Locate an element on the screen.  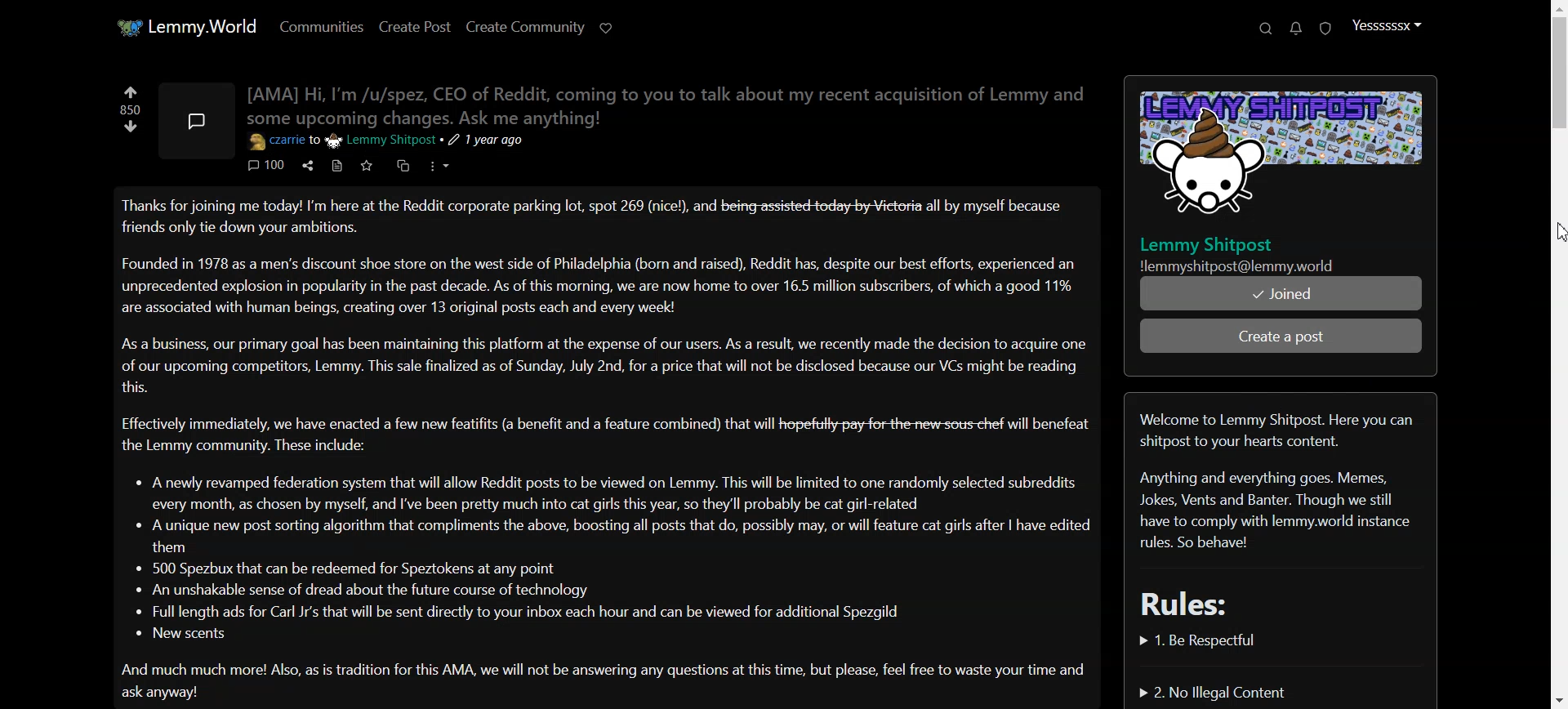
Lemmy Shitpost is located at coordinates (1214, 244).